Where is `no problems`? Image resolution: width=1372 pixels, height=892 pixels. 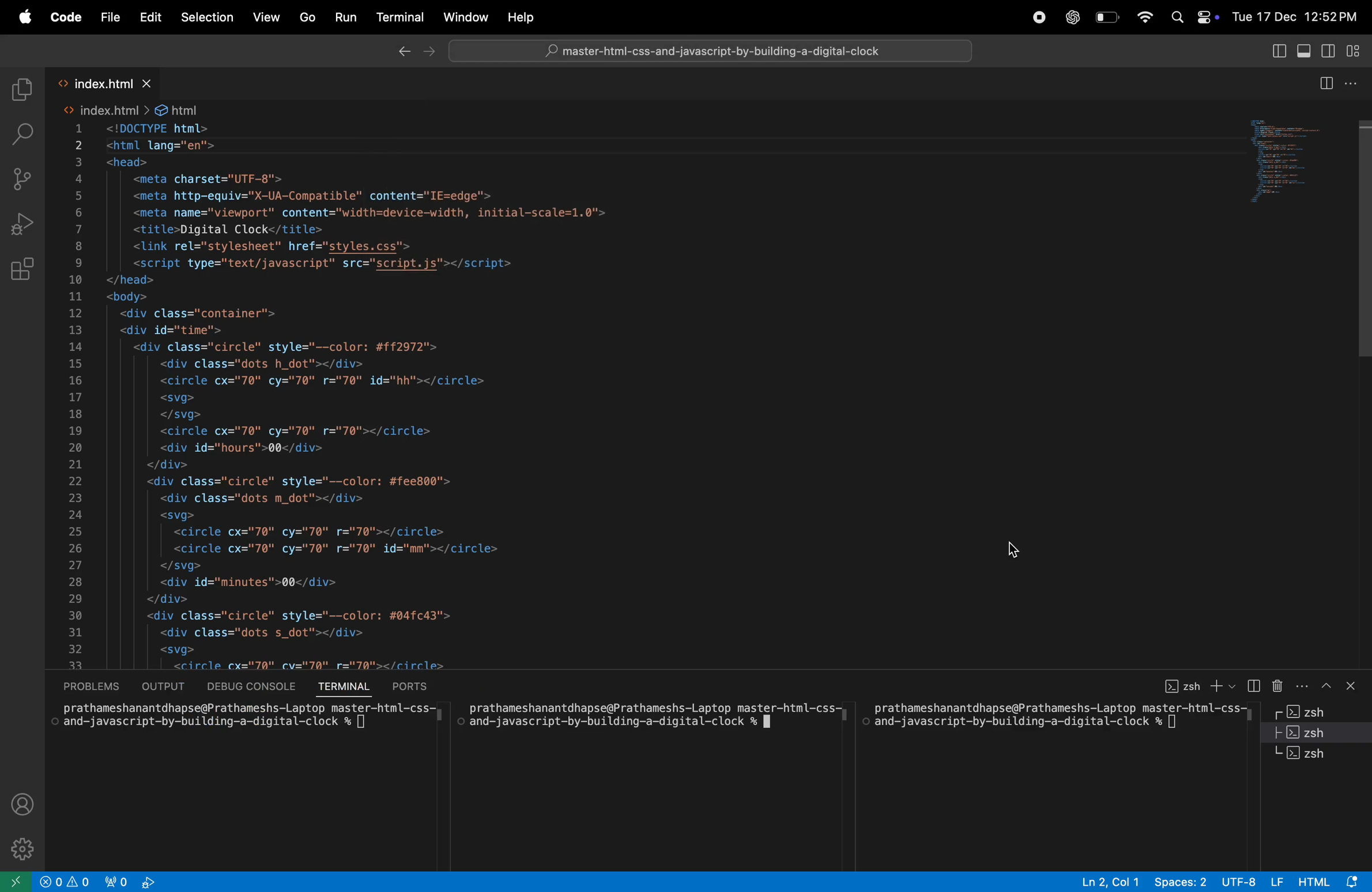 no problems is located at coordinates (66, 882).